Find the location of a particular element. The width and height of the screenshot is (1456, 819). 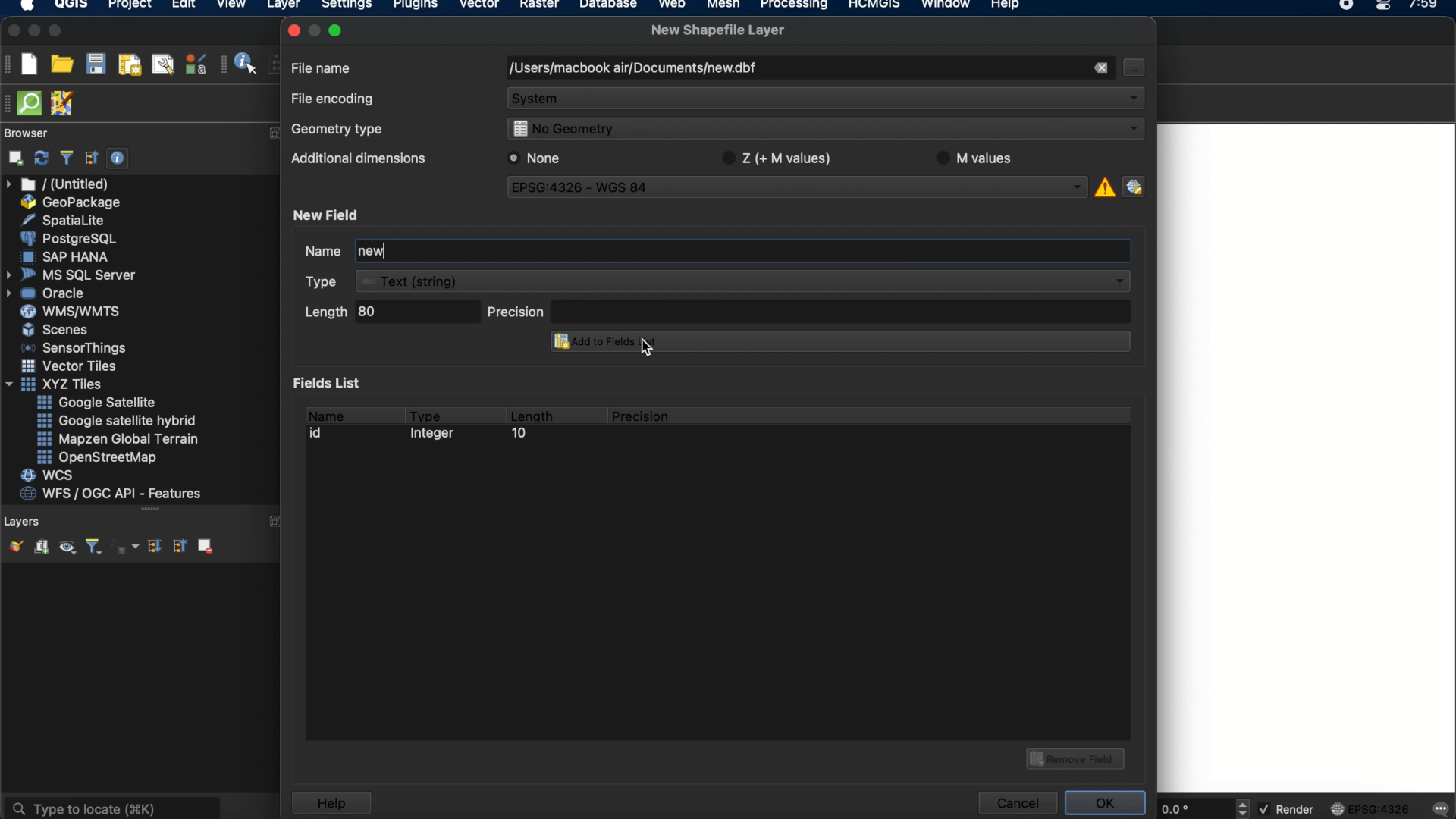

Geometry type is located at coordinates (342, 131).